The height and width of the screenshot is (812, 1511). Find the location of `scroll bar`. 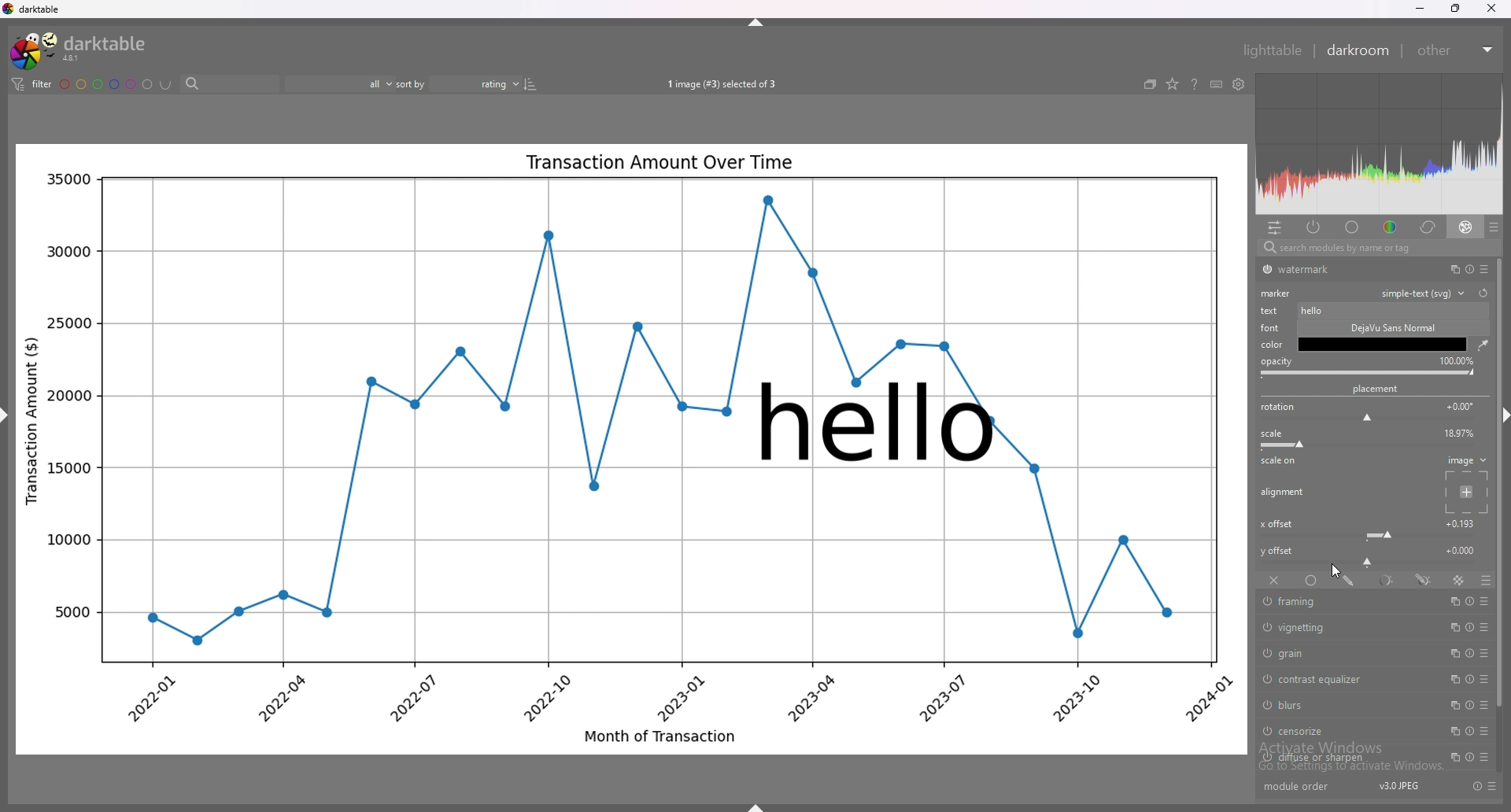

scroll bar is located at coordinates (1502, 483).